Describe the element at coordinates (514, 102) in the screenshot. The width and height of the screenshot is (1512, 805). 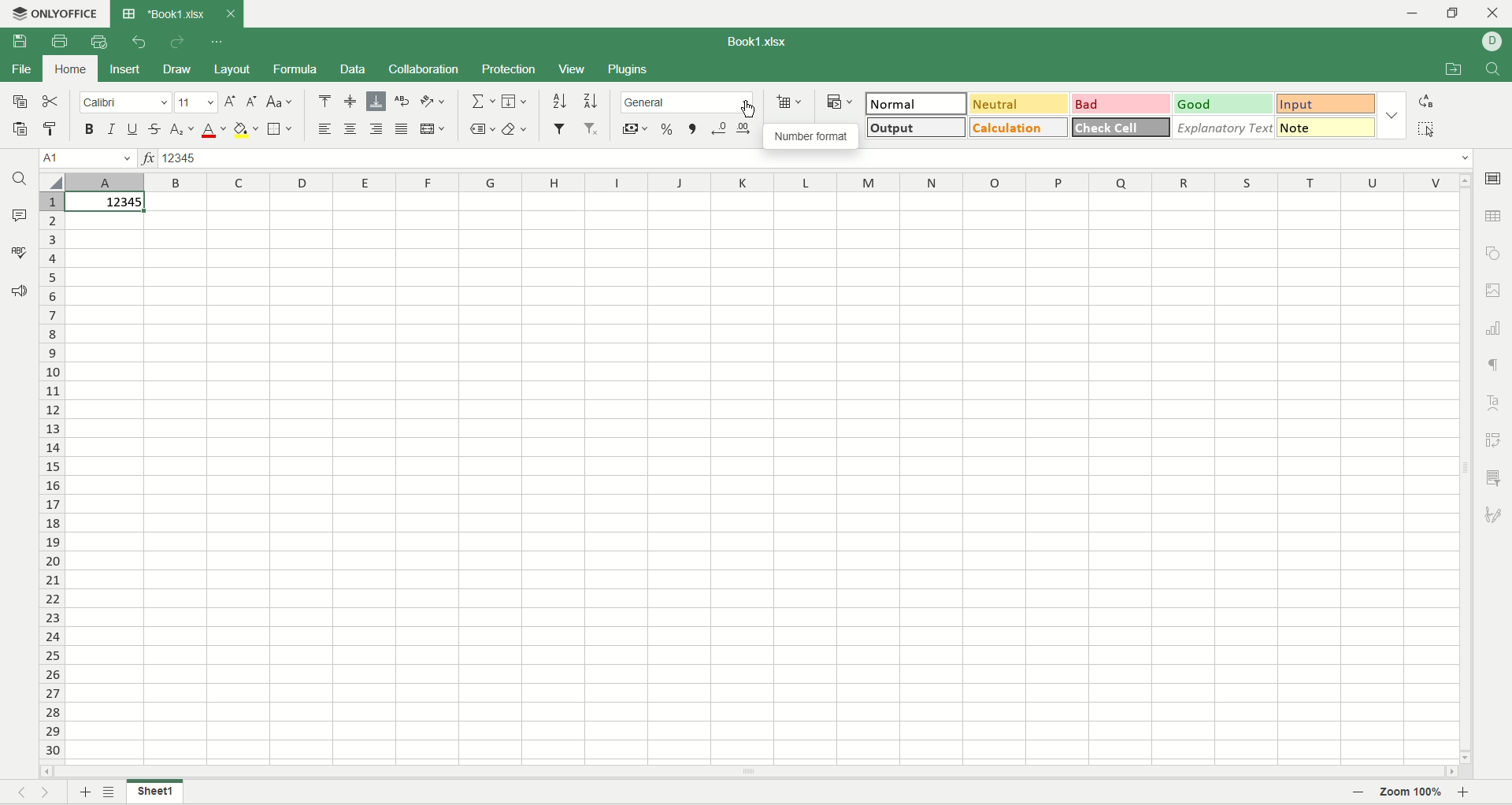
I see `fill` at that location.